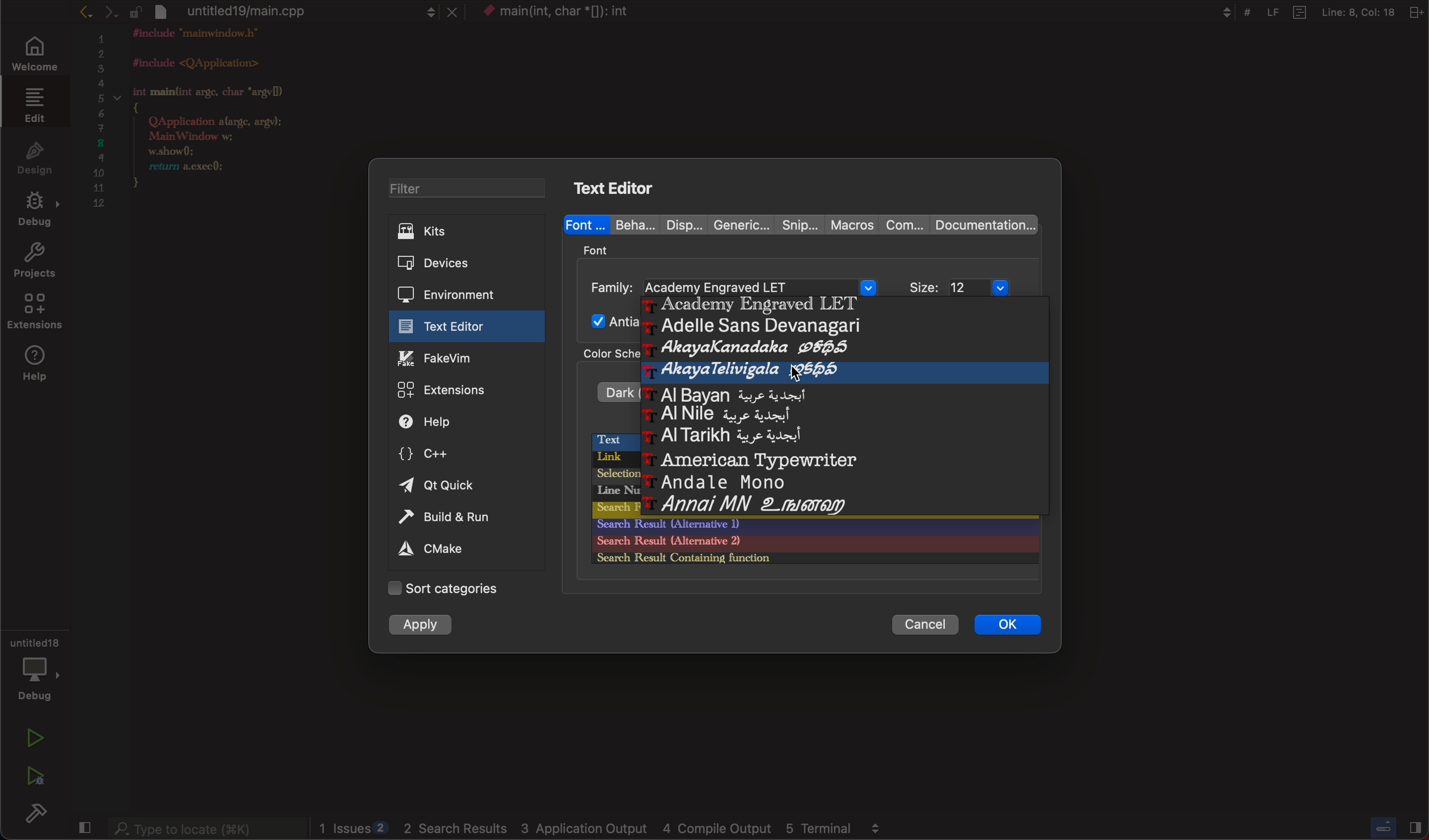  What do you see at coordinates (982, 225) in the screenshot?
I see `documentation` at bounding box center [982, 225].